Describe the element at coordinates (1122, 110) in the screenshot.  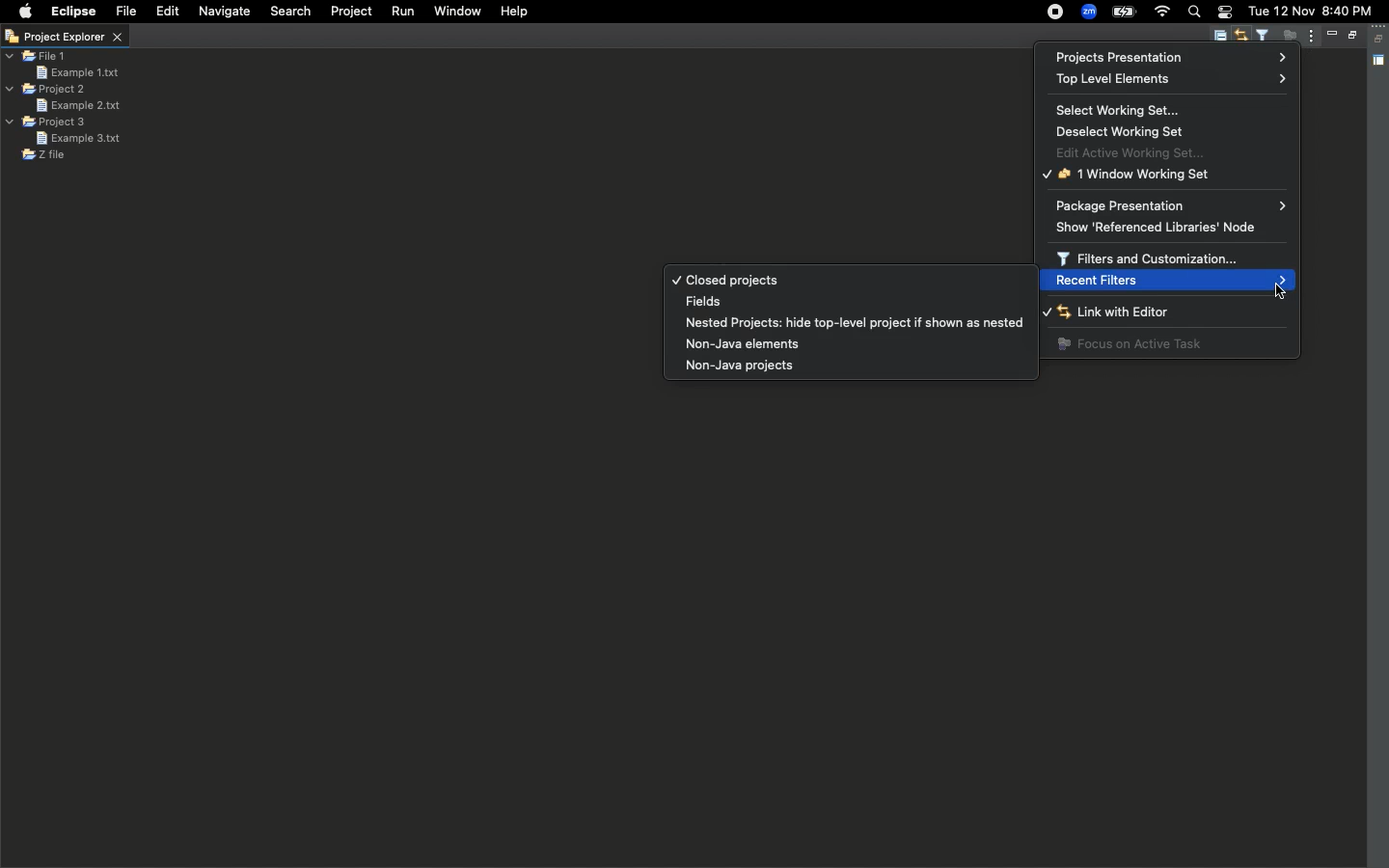
I see `Select working set` at that location.